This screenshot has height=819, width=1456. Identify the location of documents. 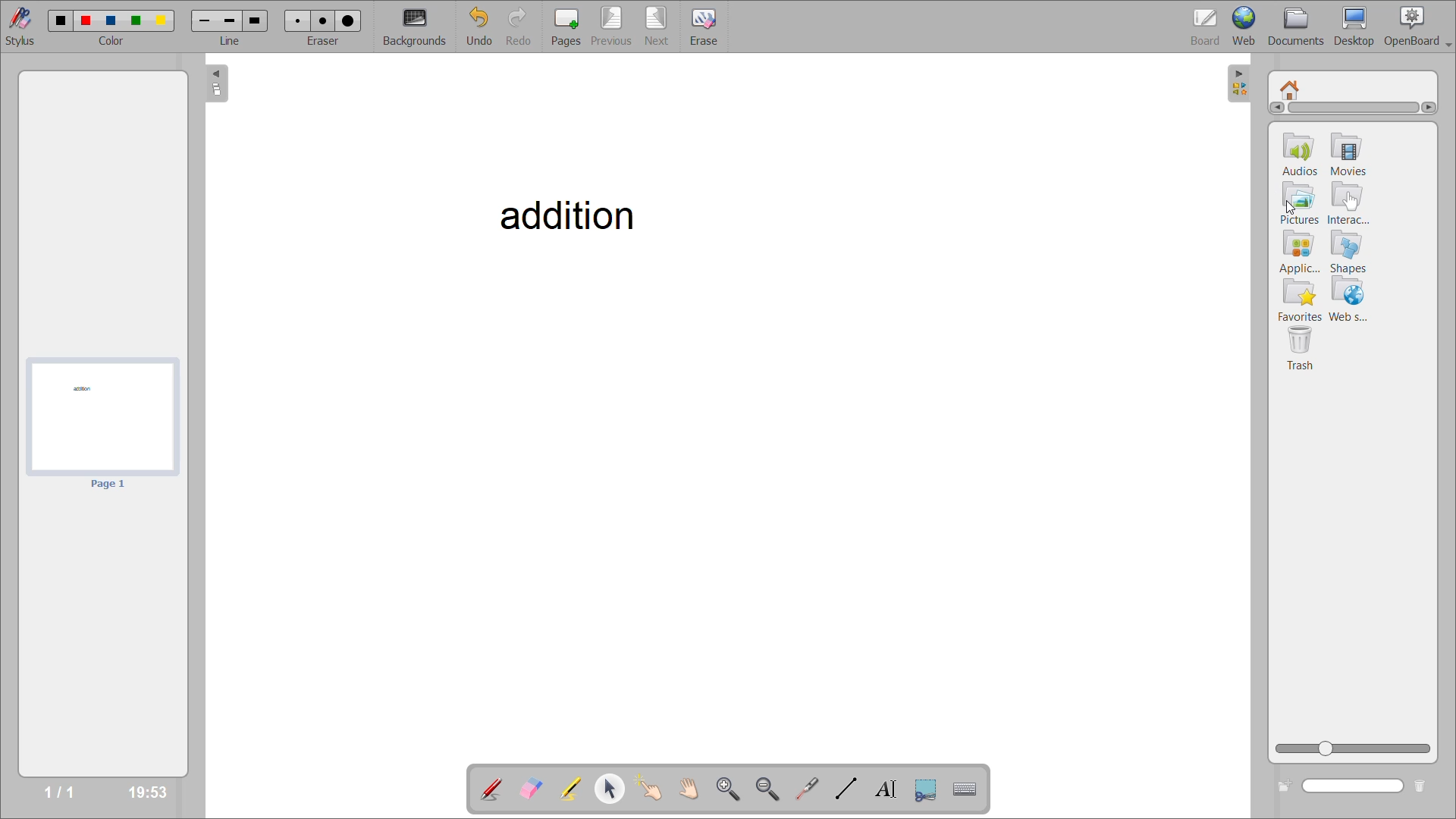
(1302, 27).